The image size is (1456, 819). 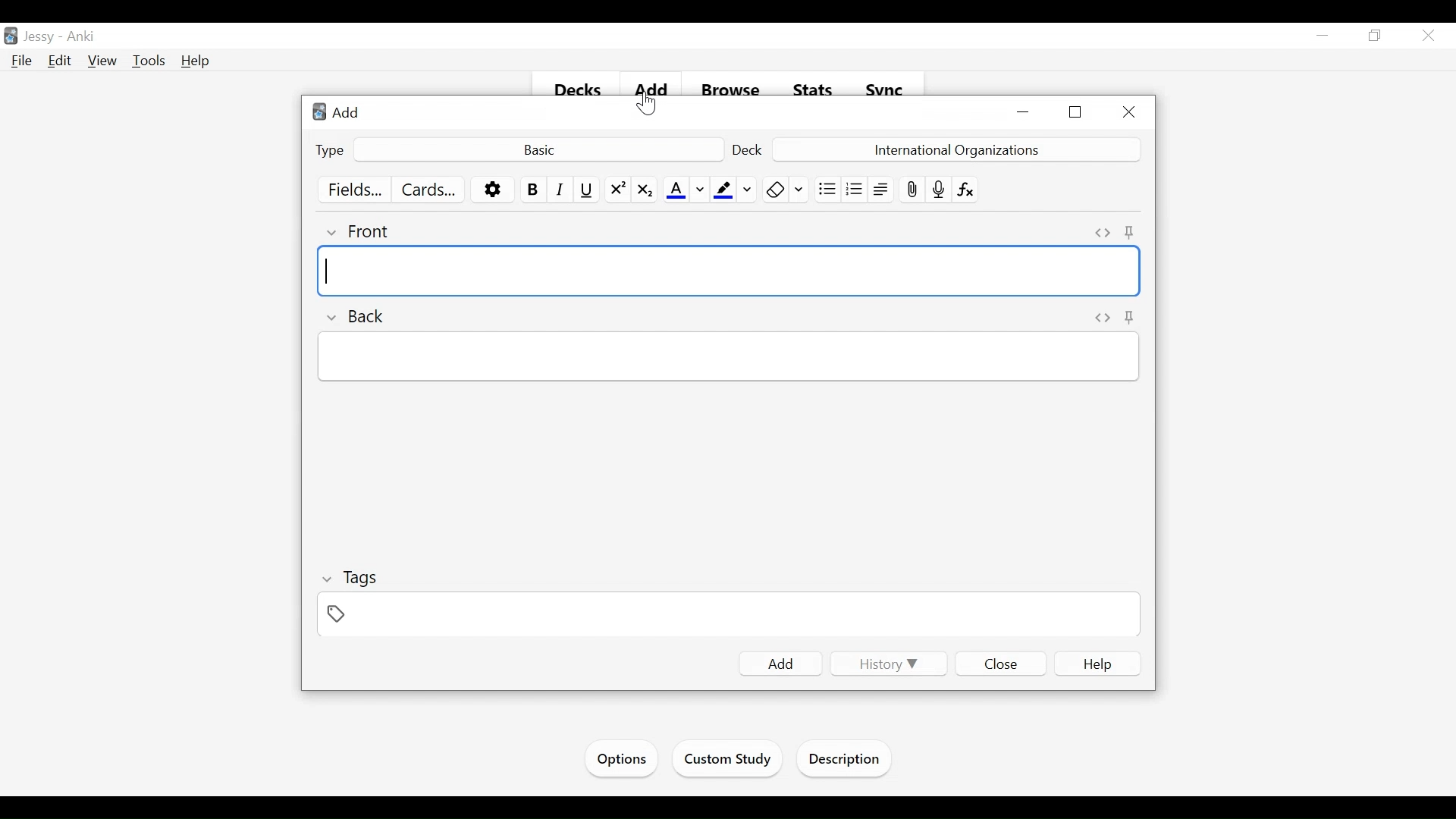 What do you see at coordinates (318, 112) in the screenshot?
I see `Anki Desktop Icon` at bounding box center [318, 112].